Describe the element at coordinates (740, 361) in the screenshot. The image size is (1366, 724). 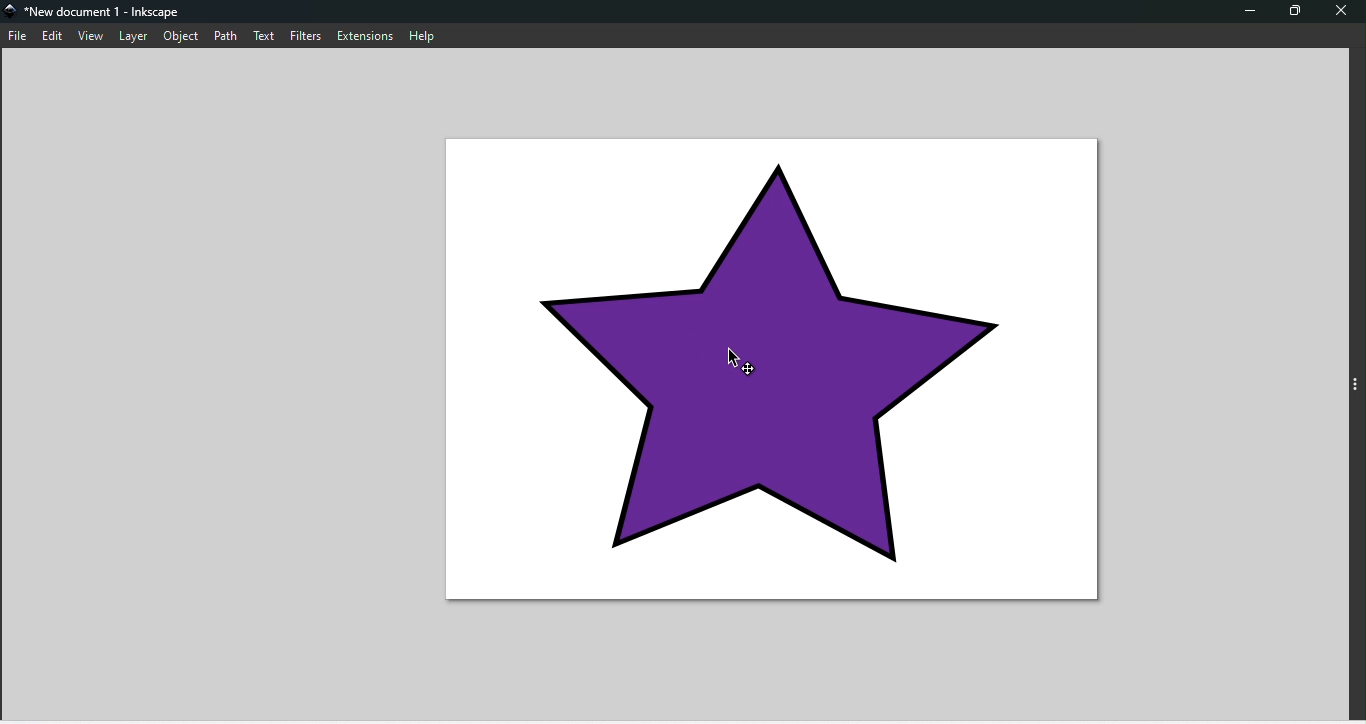
I see `cursor` at that location.